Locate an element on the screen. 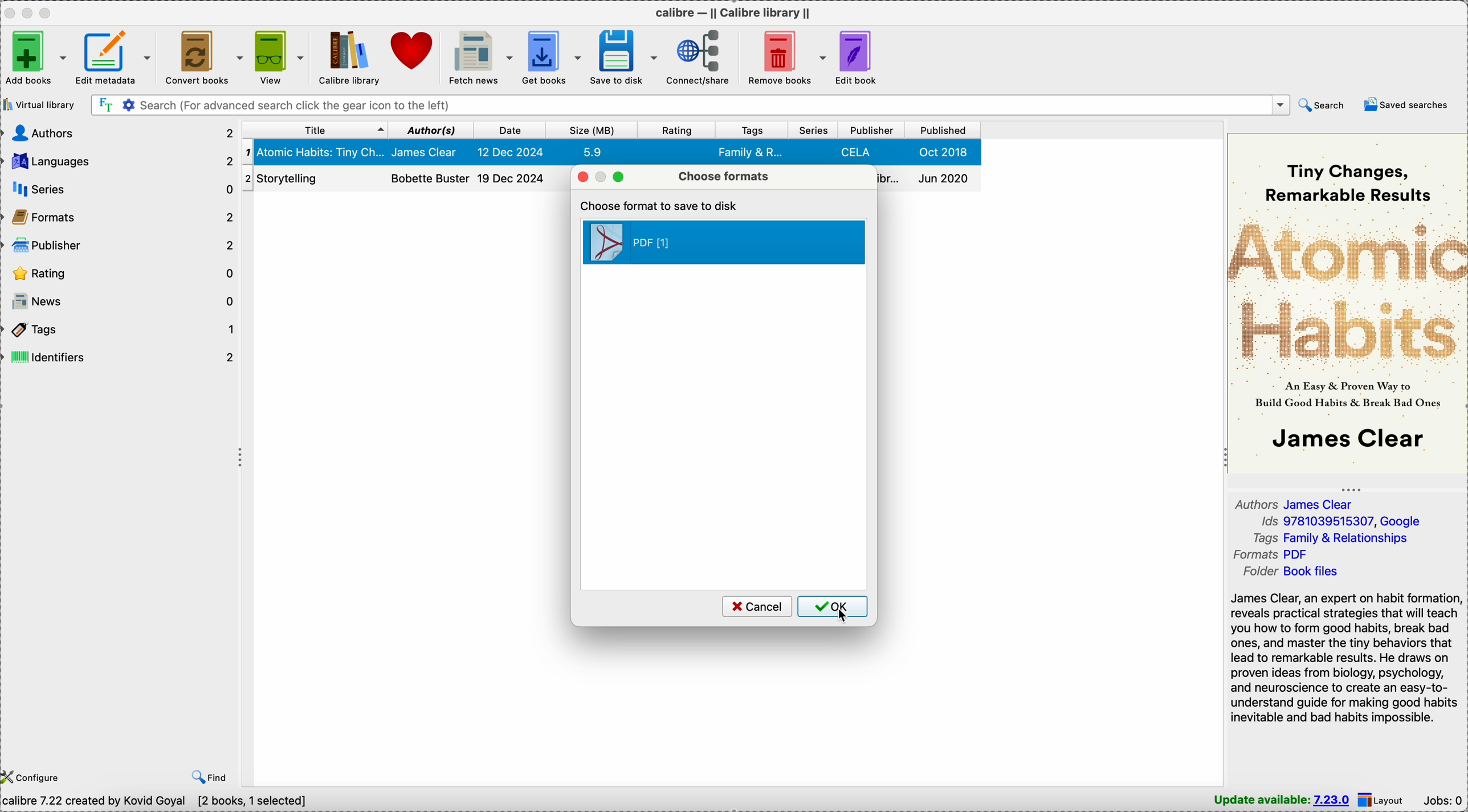  Jun 2020 is located at coordinates (930, 179).